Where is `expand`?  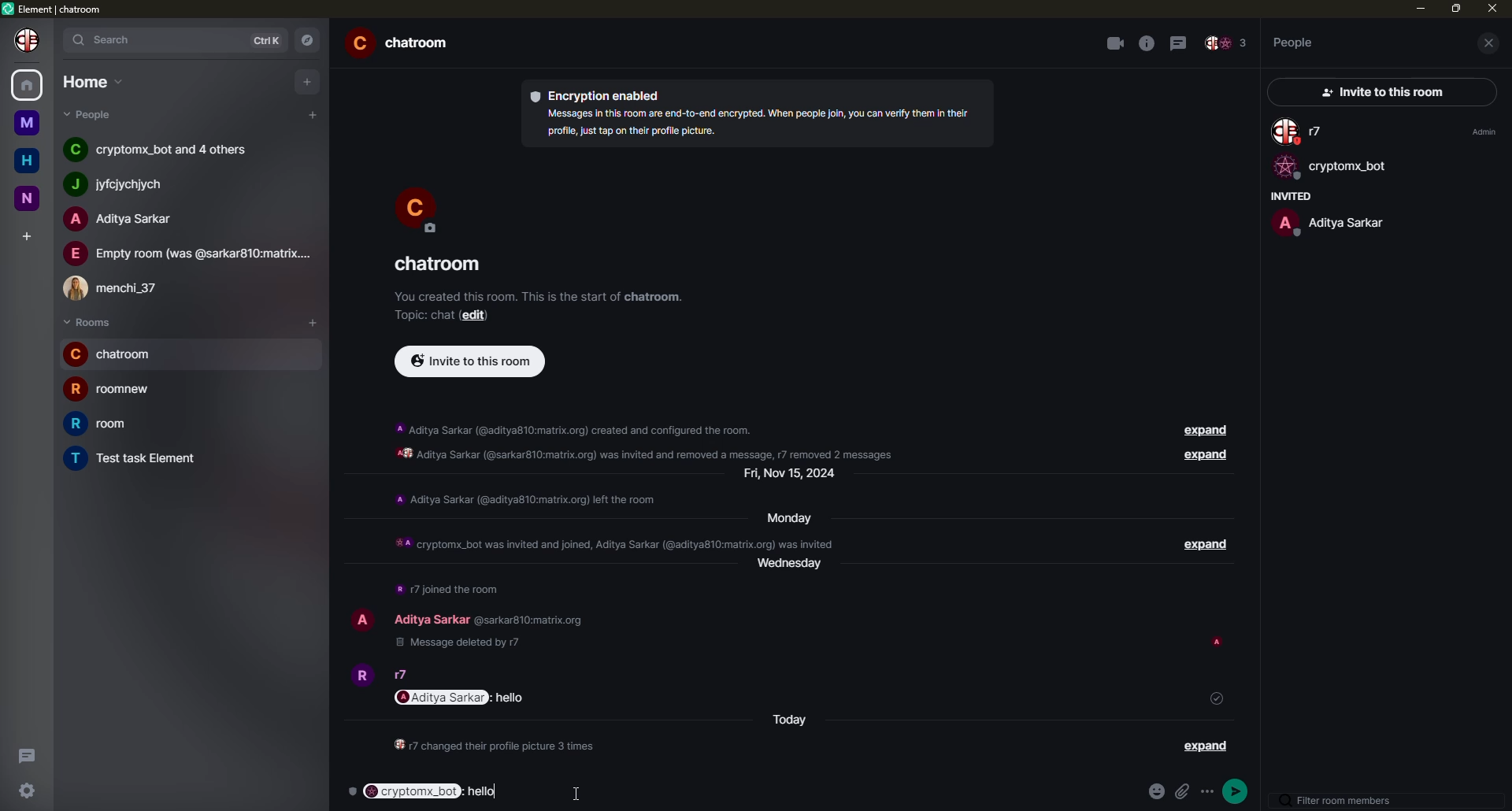
expand is located at coordinates (1206, 746).